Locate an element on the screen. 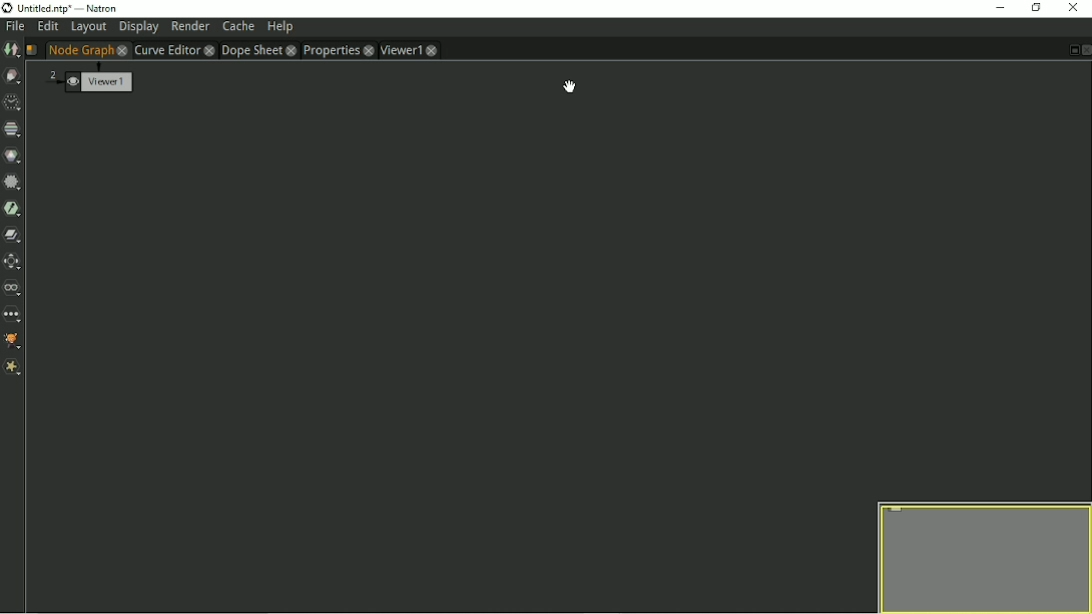 The width and height of the screenshot is (1092, 614). Close is located at coordinates (1085, 50).